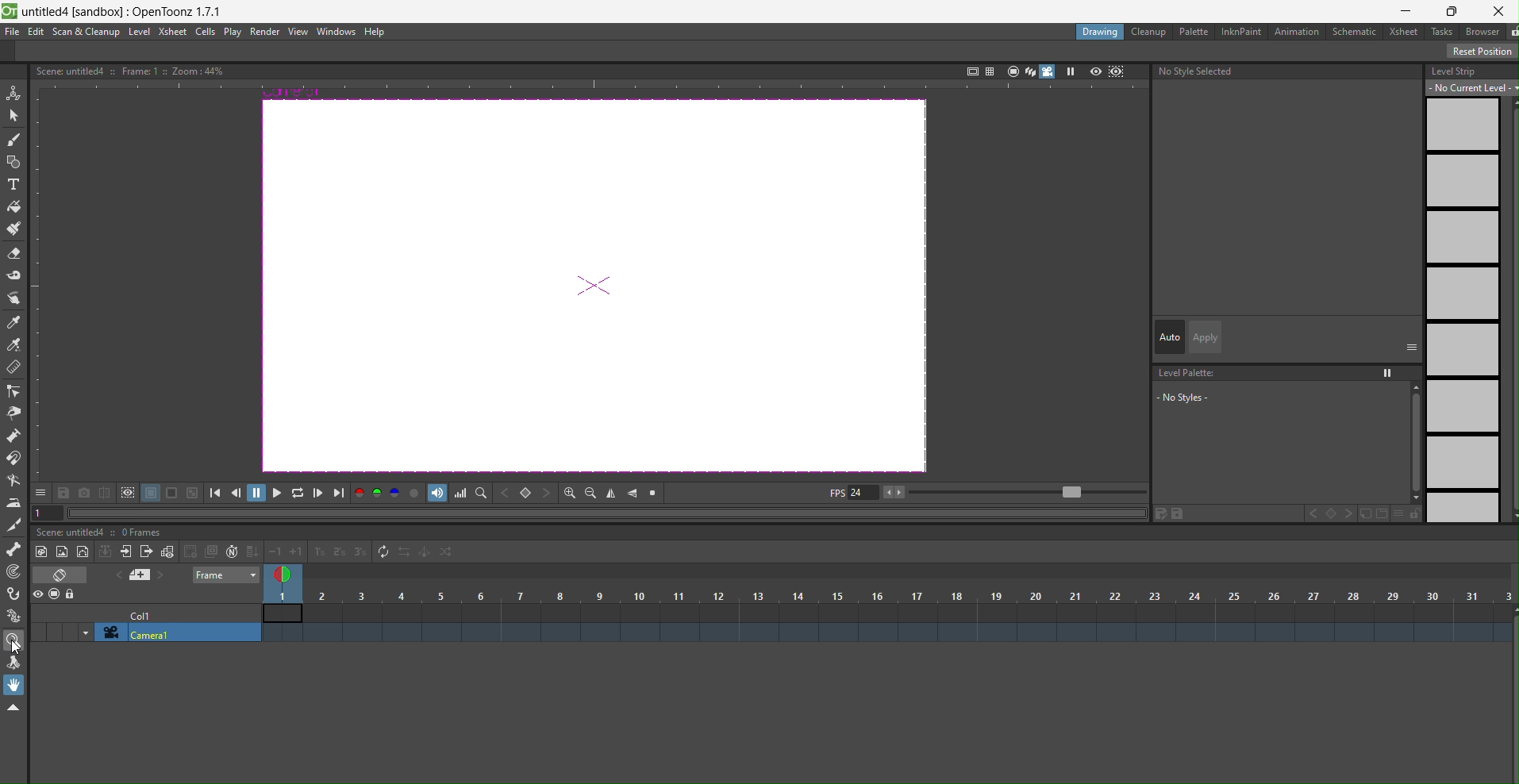 This screenshot has width=1519, height=784. I want to click on fill tool, so click(16, 204).